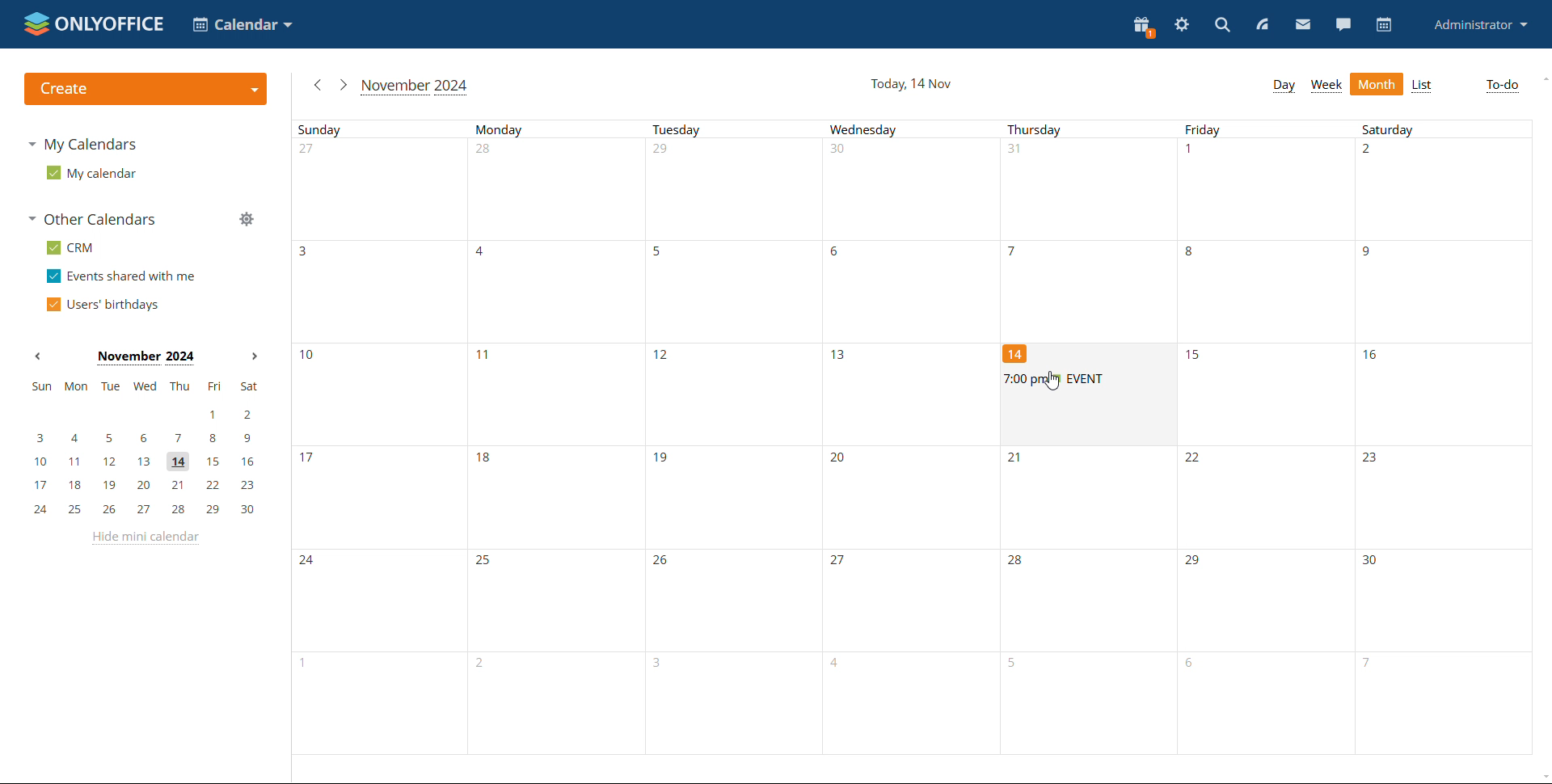  I want to click on number, so click(1019, 666).